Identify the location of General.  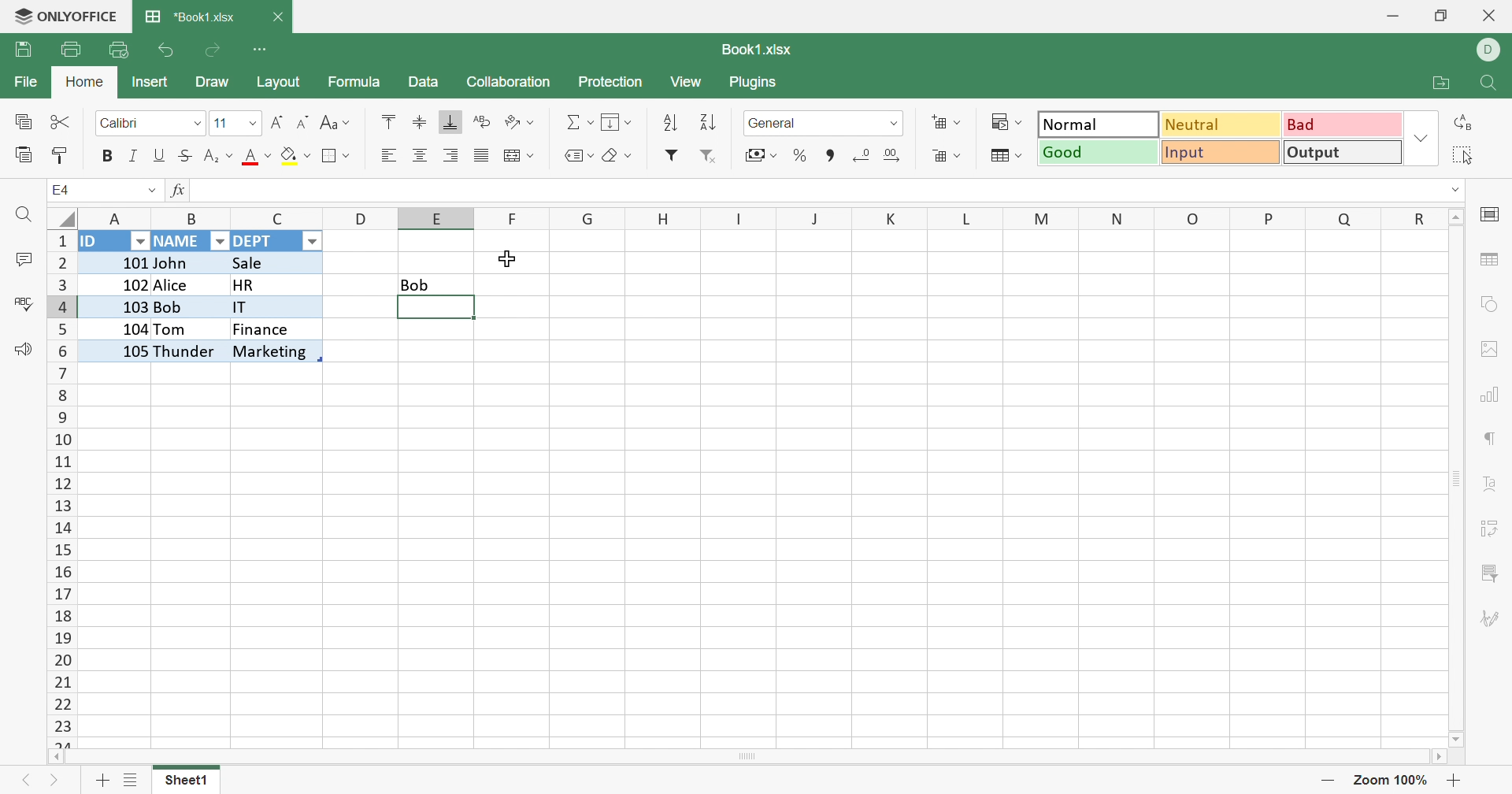
(776, 123).